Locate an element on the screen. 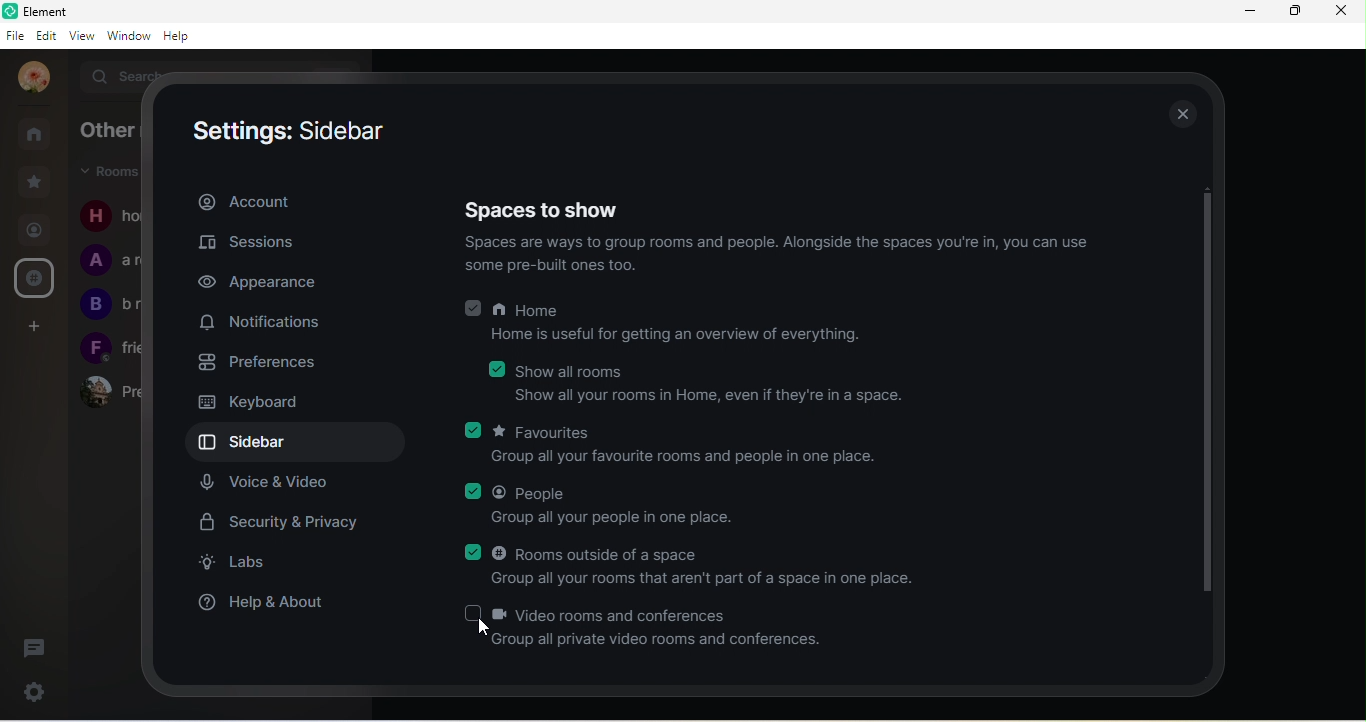 The image size is (1366, 722). settings is located at coordinates (38, 688).